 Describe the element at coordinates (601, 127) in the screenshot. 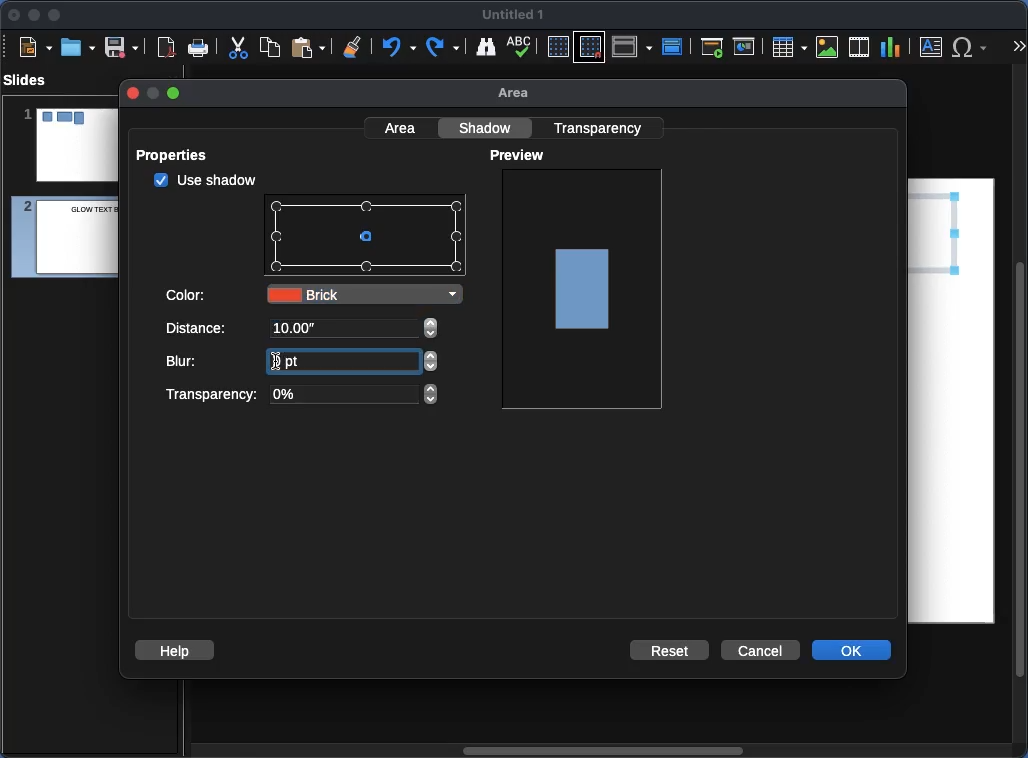

I see `Transparency` at that location.